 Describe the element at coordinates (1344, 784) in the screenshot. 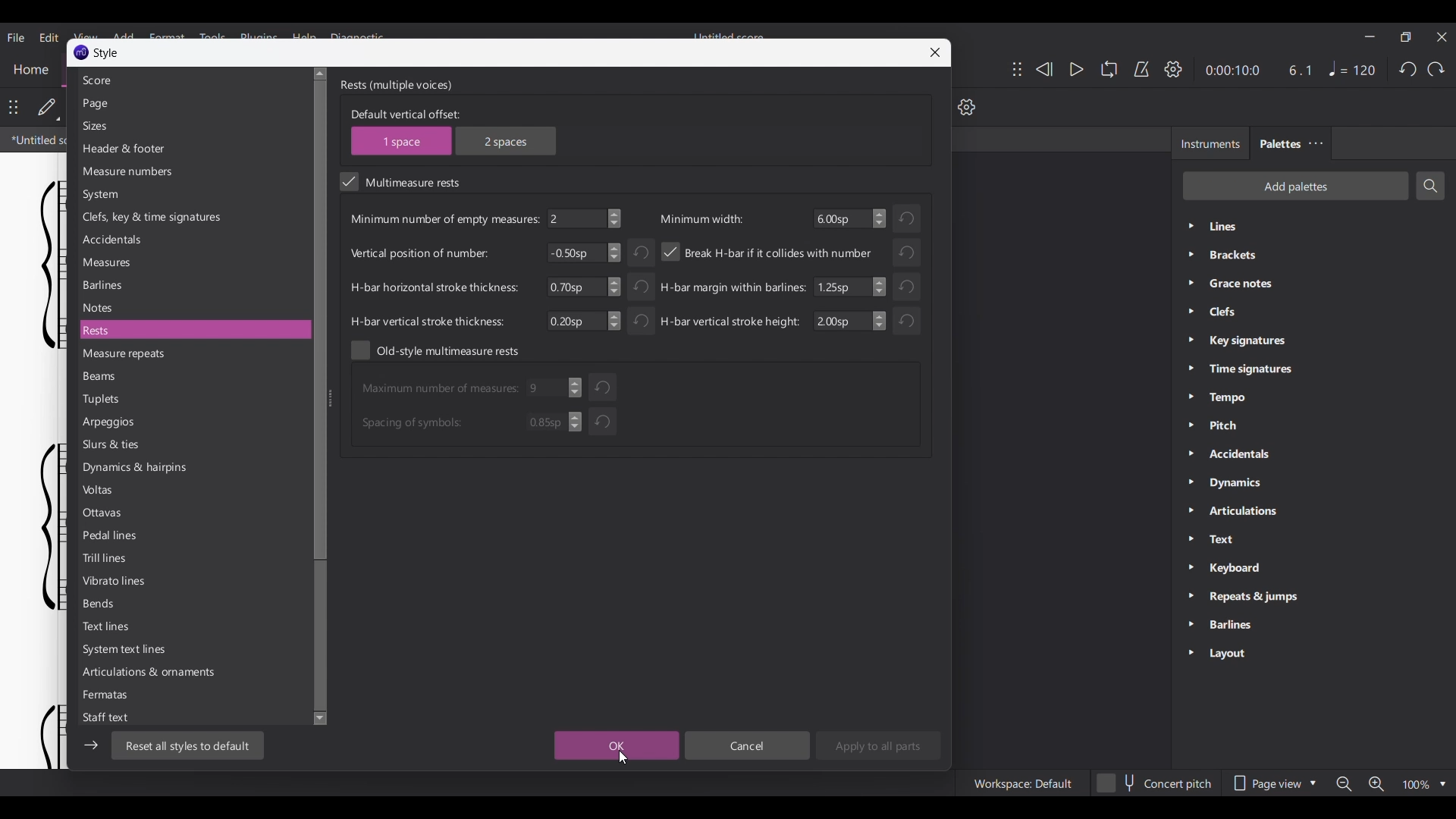

I see `Zoom out` at that location.